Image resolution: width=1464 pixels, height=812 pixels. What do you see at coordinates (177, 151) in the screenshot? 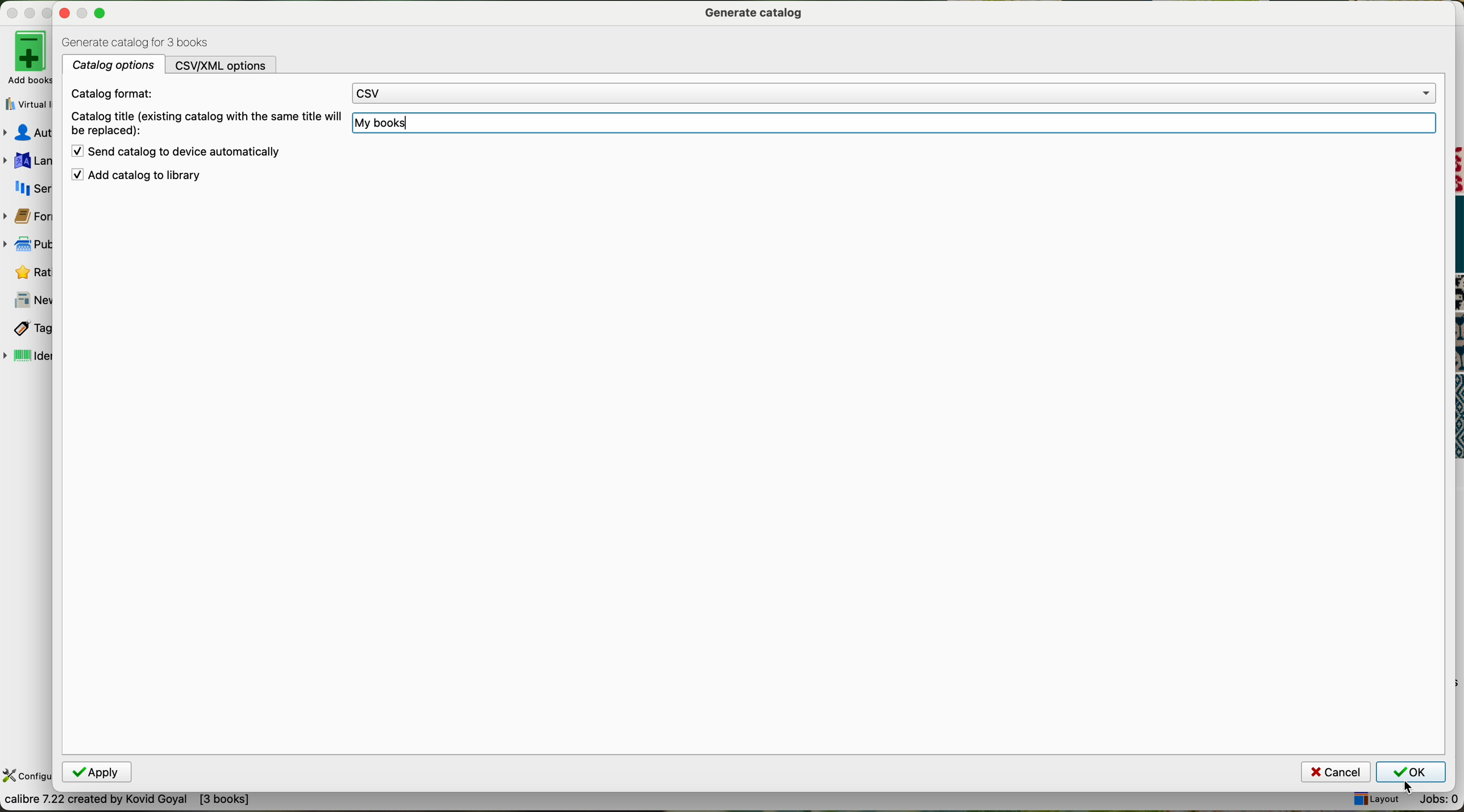
I see `send catalog to device automatically` at bounding box center [177, 151].